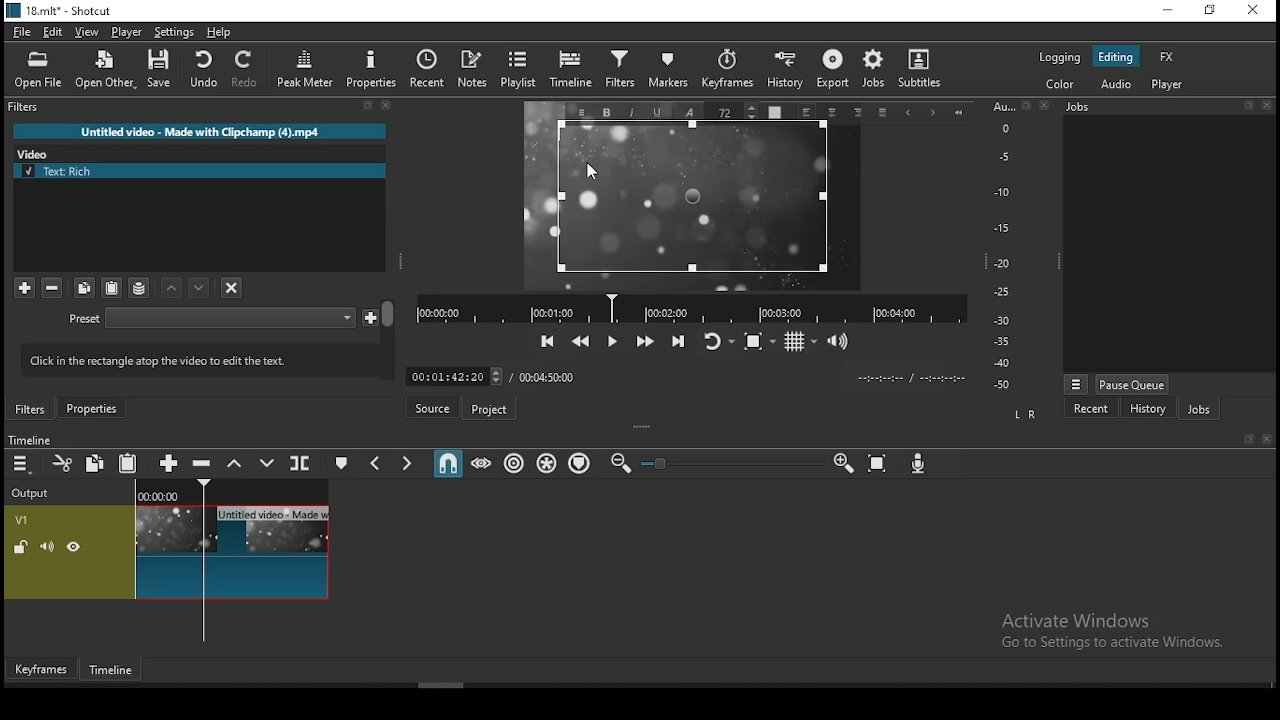 This screenshot has height=720, width=1280. Describe the element at coordinates (732, 464) in the screenshot. I see `Zoom Slider` at that location.